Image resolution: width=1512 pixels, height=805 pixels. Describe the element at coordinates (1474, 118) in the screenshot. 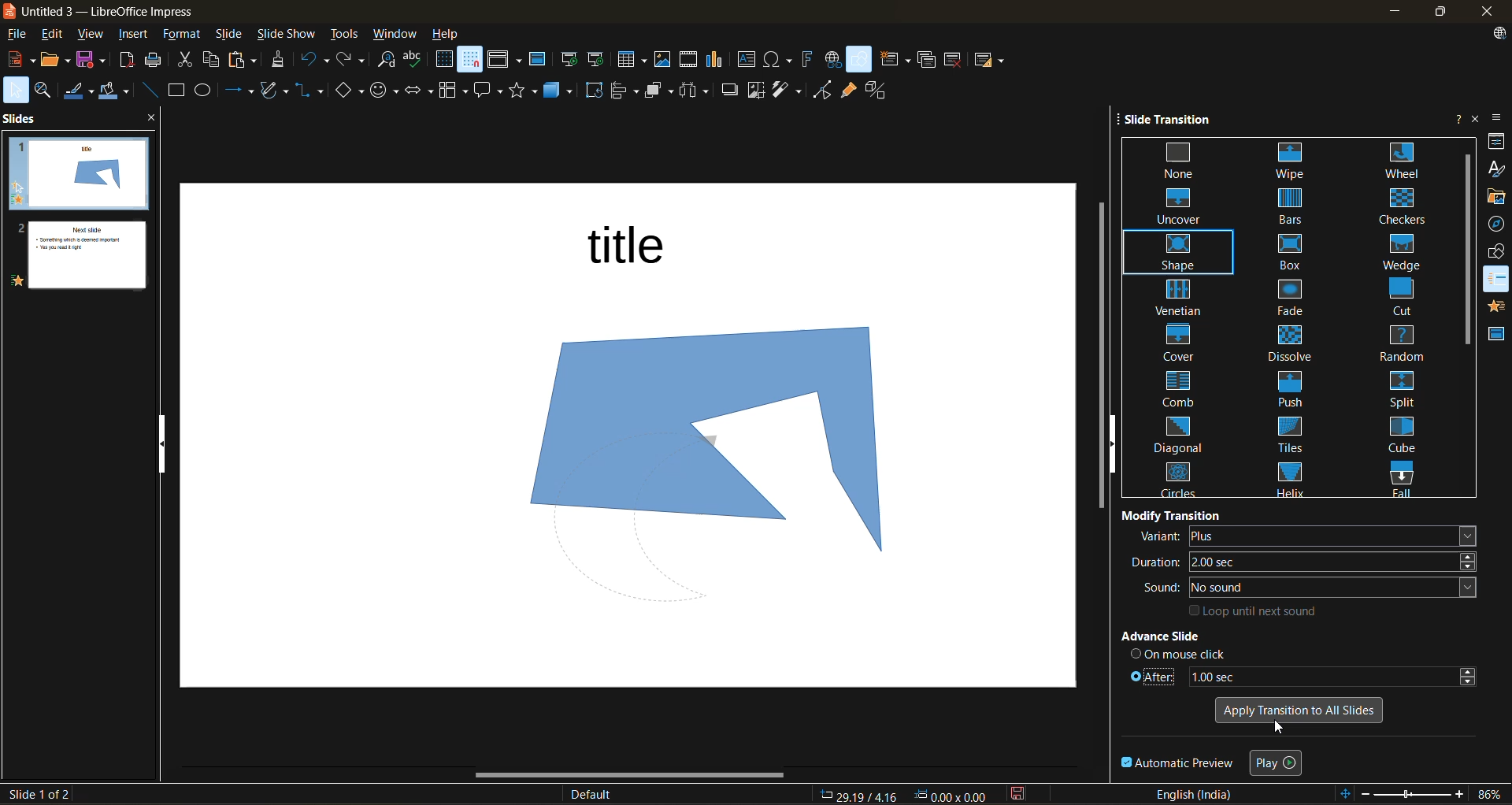

I see `close sidebar deck` at that location.